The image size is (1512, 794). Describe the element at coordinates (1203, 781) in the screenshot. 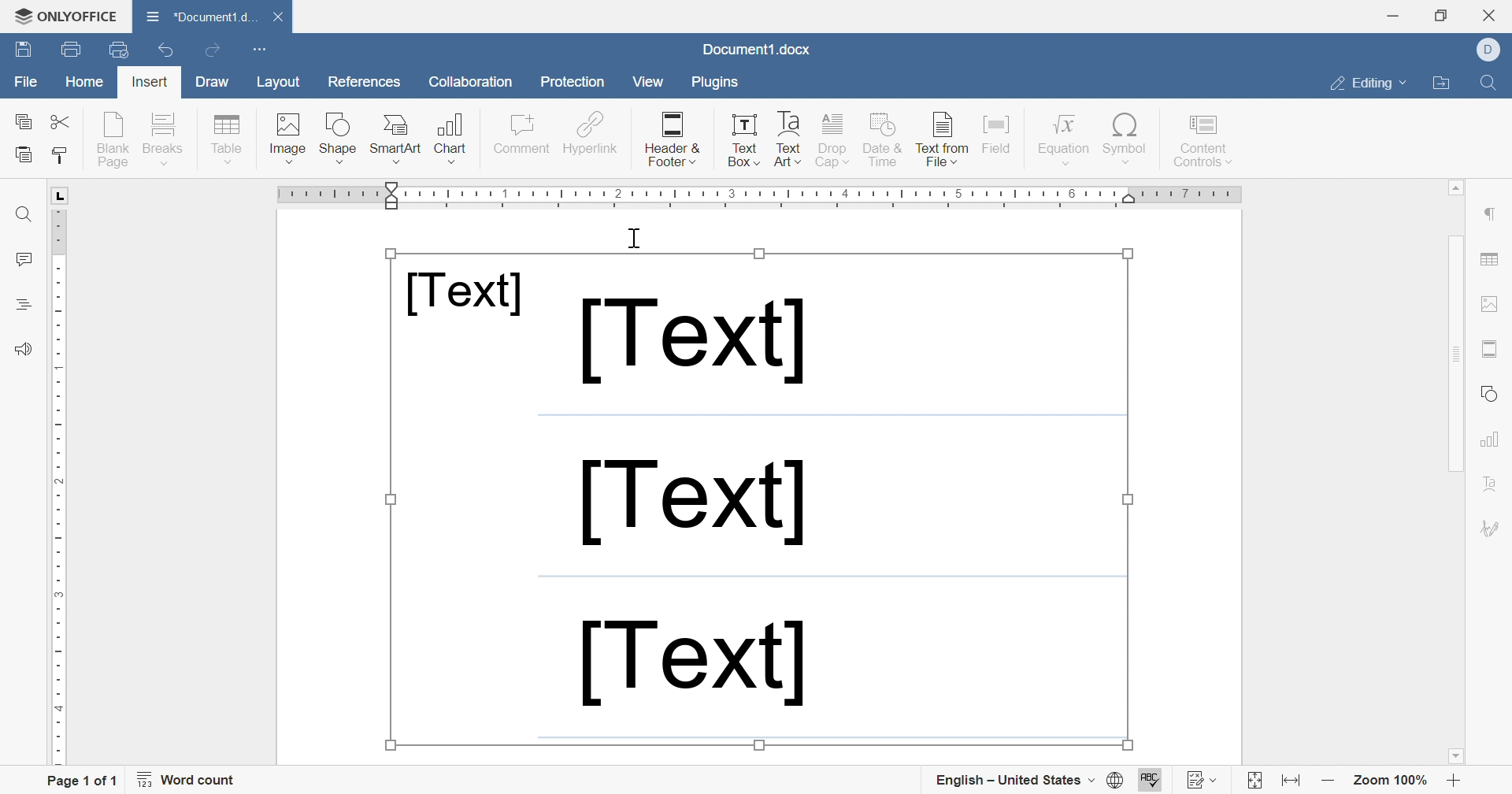

I see `Track changes` at that location.